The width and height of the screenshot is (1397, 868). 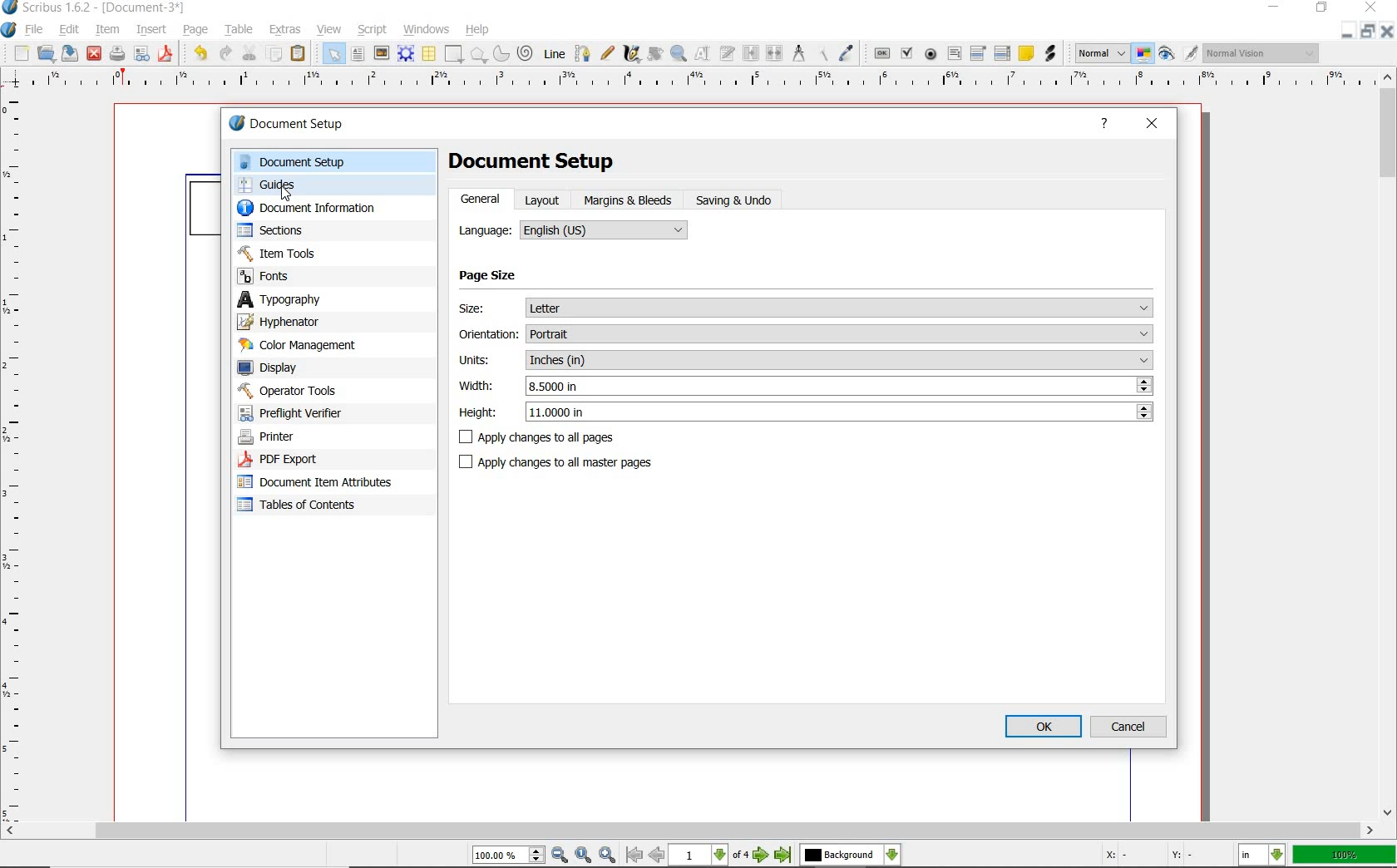 I want to click on minimize, so click(x=1349, y=31).